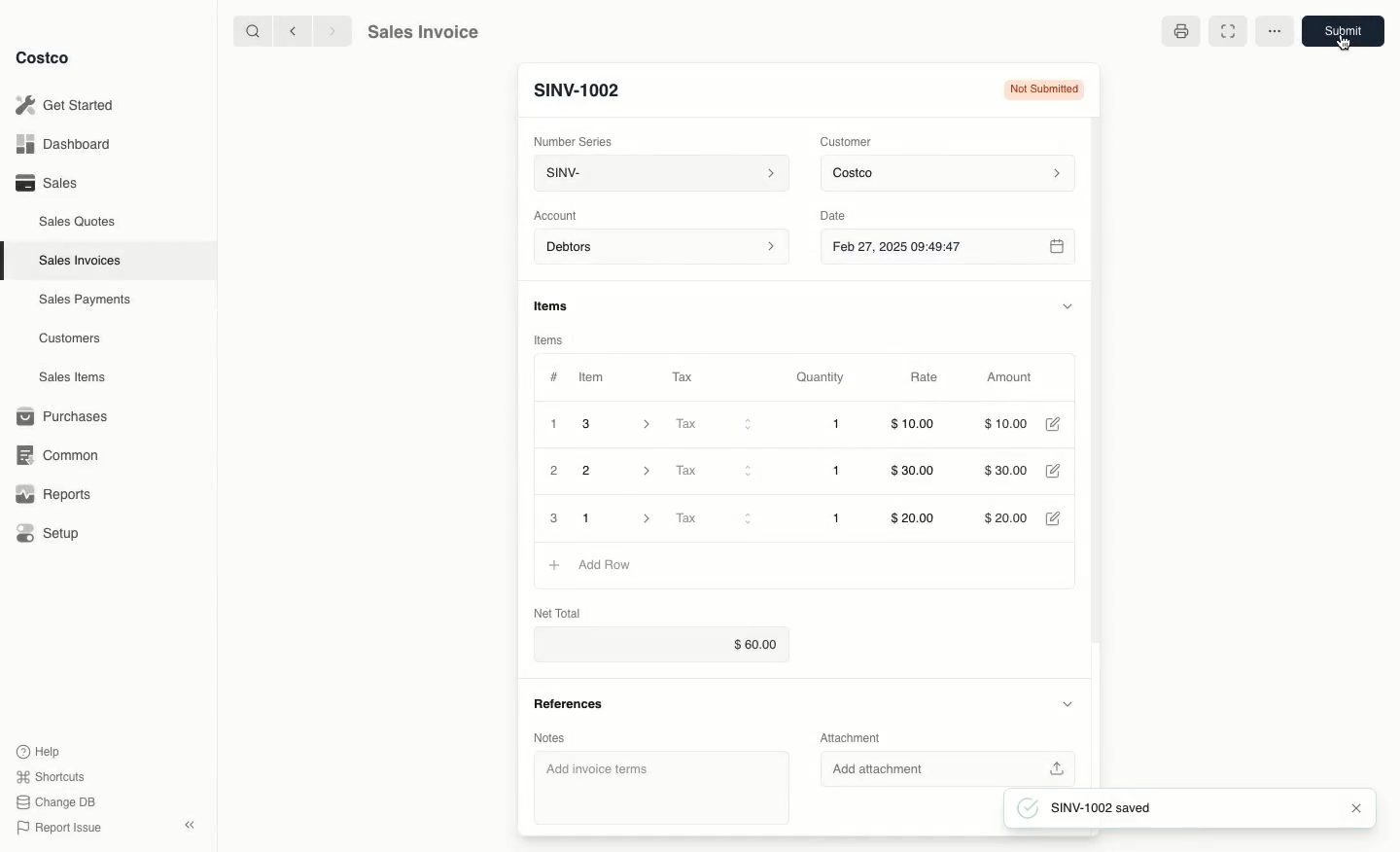  I want to click on ‘Account, so click(559, 214).